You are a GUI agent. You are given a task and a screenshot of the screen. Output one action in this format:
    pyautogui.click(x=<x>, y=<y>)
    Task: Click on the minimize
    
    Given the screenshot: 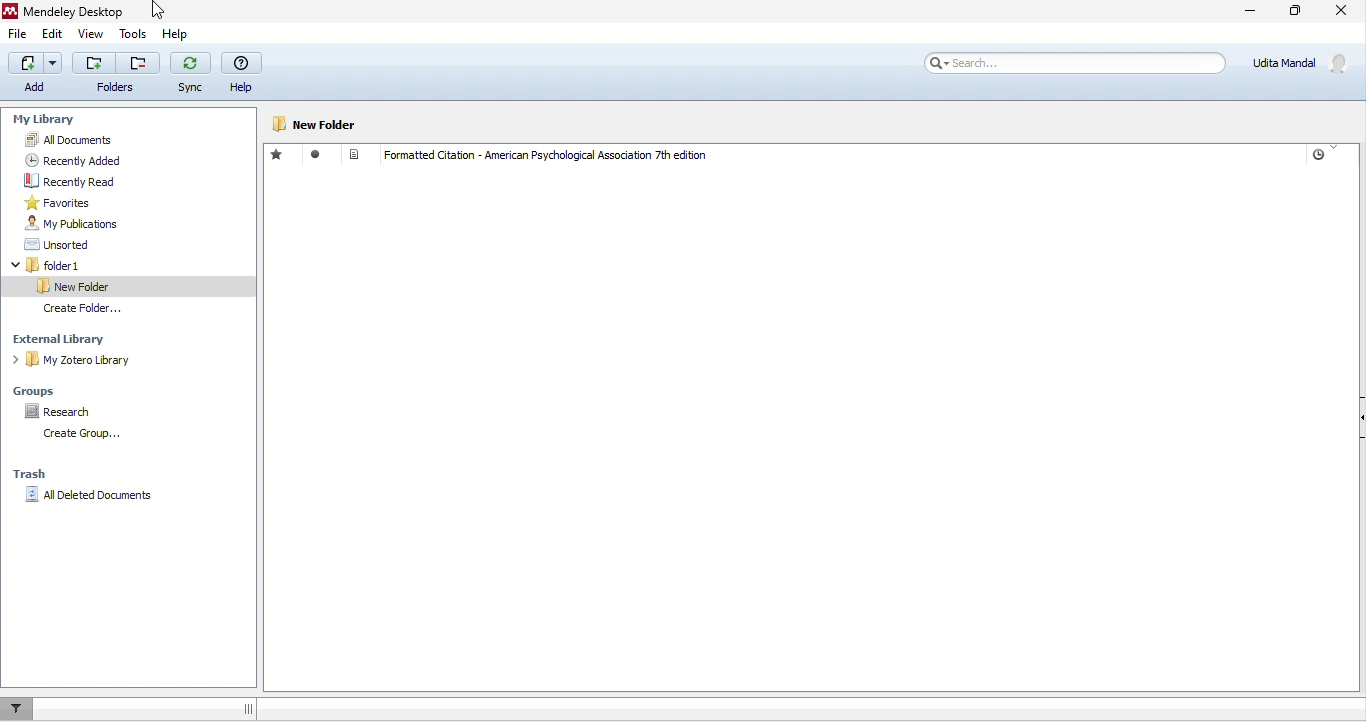 What is the action you would take?
    pyautogui.click(x=1250, y=10)
    